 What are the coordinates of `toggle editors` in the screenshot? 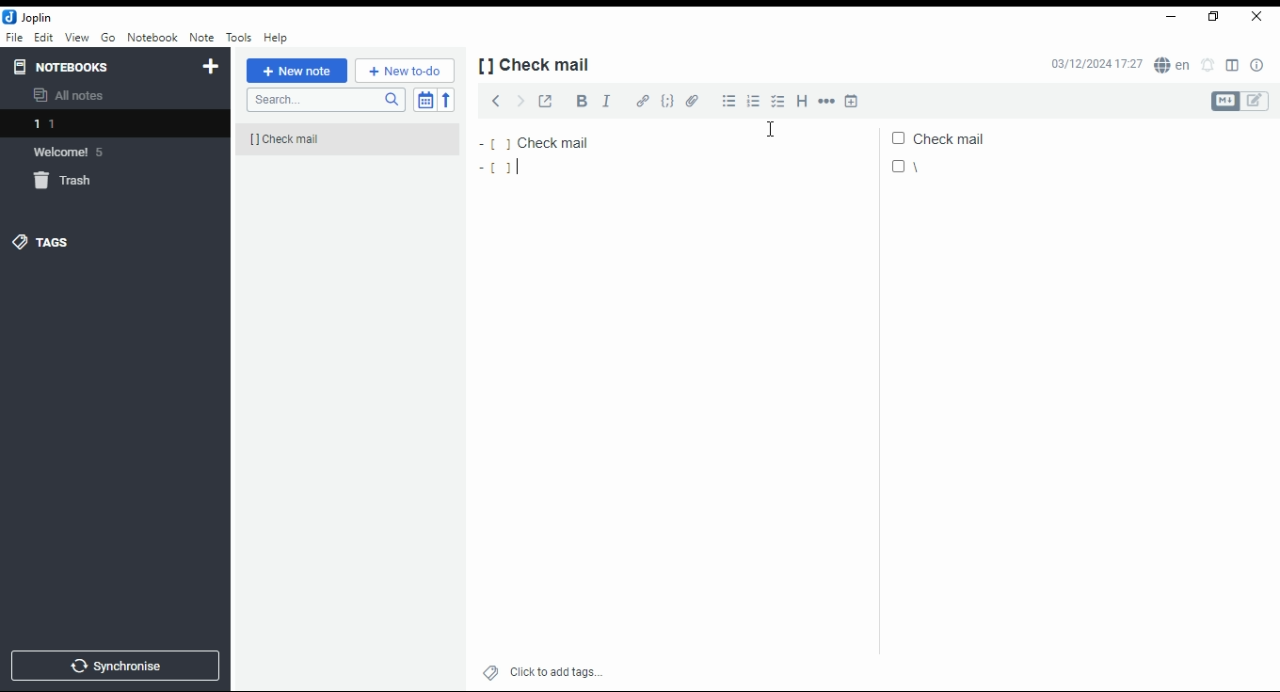 It's located at (1239, 102).